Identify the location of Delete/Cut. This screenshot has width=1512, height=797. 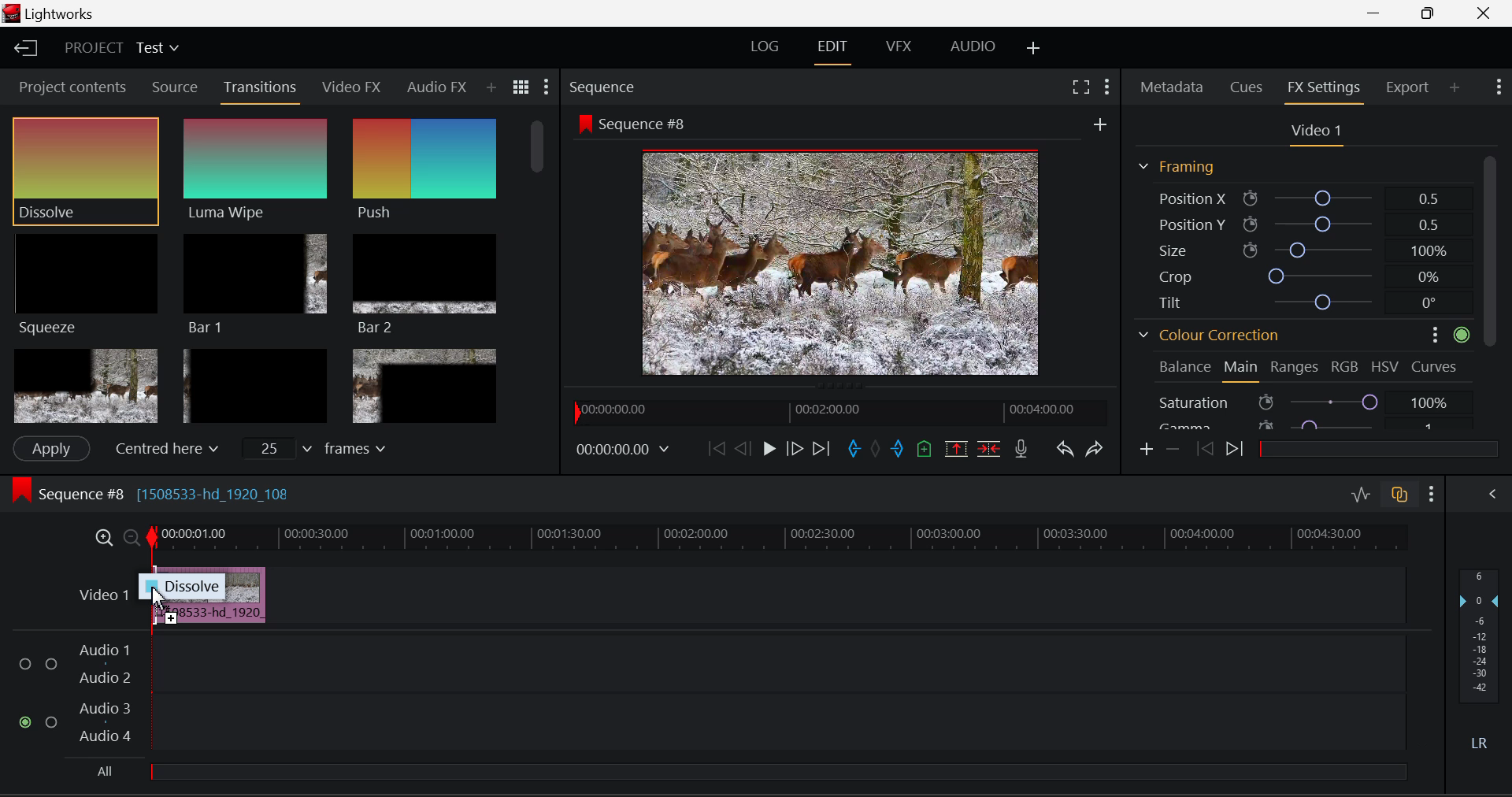
(991, 449).